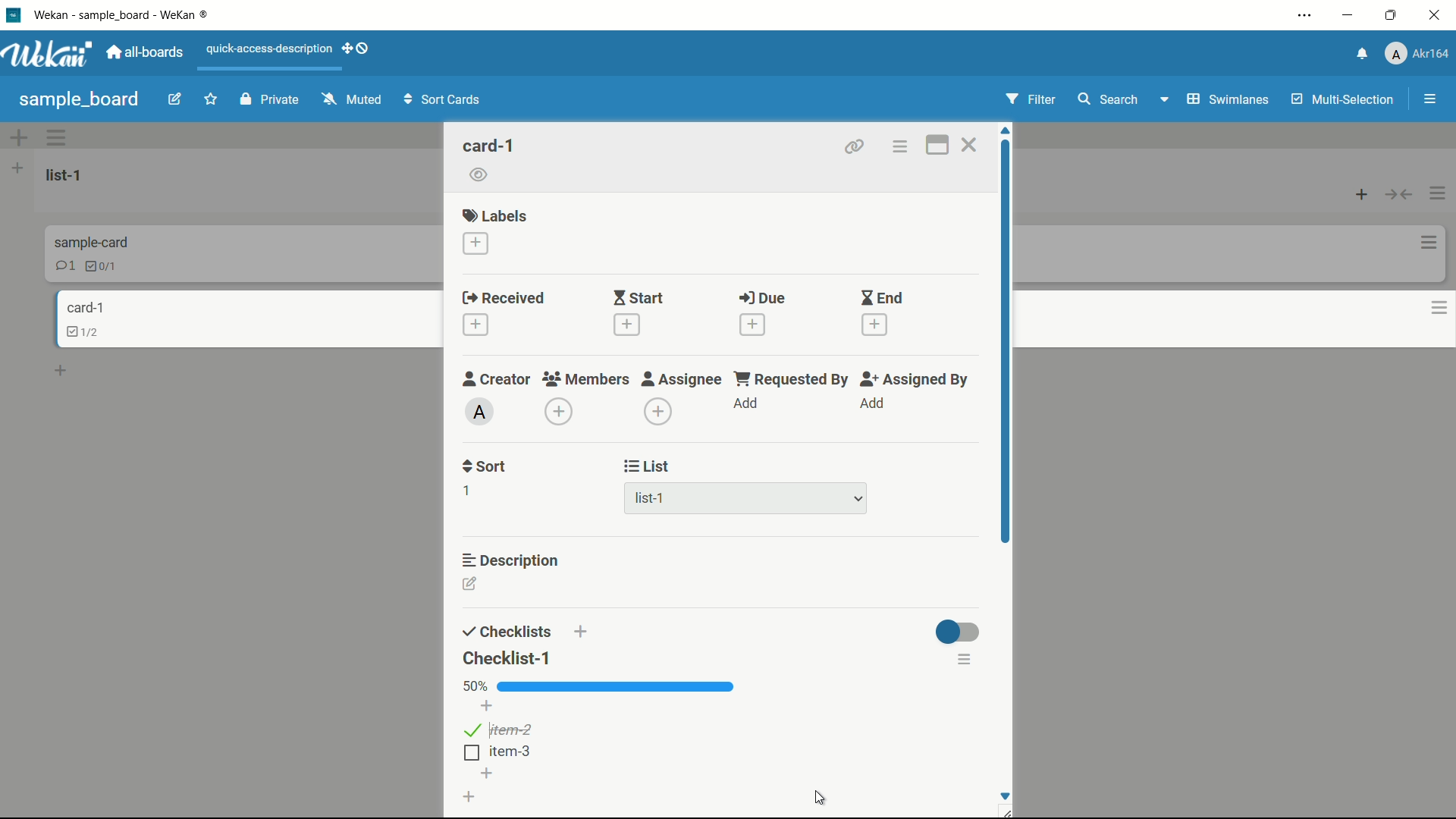 Image resolution: width=1456 pixels, height=819 pixels. I want to click on minimize, so click(1349, 15).